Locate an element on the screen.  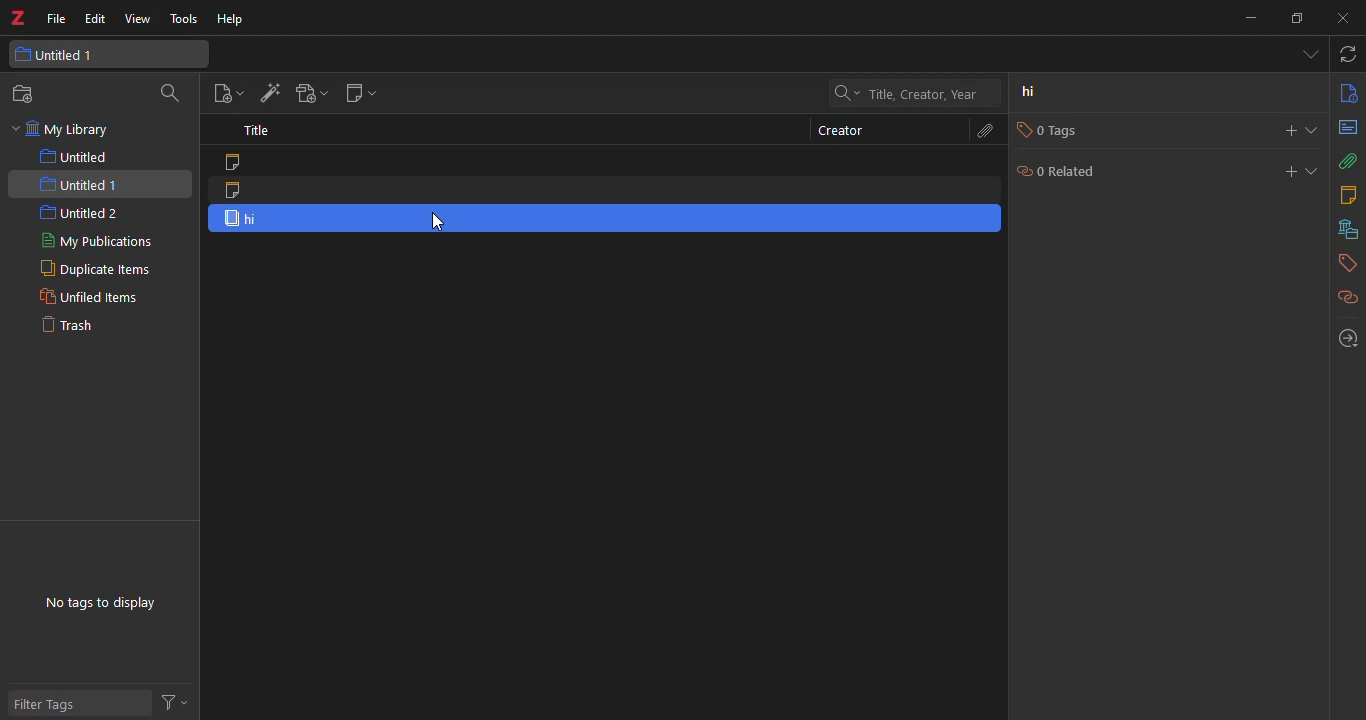
unfiled items is located at coordinates (87, 297).